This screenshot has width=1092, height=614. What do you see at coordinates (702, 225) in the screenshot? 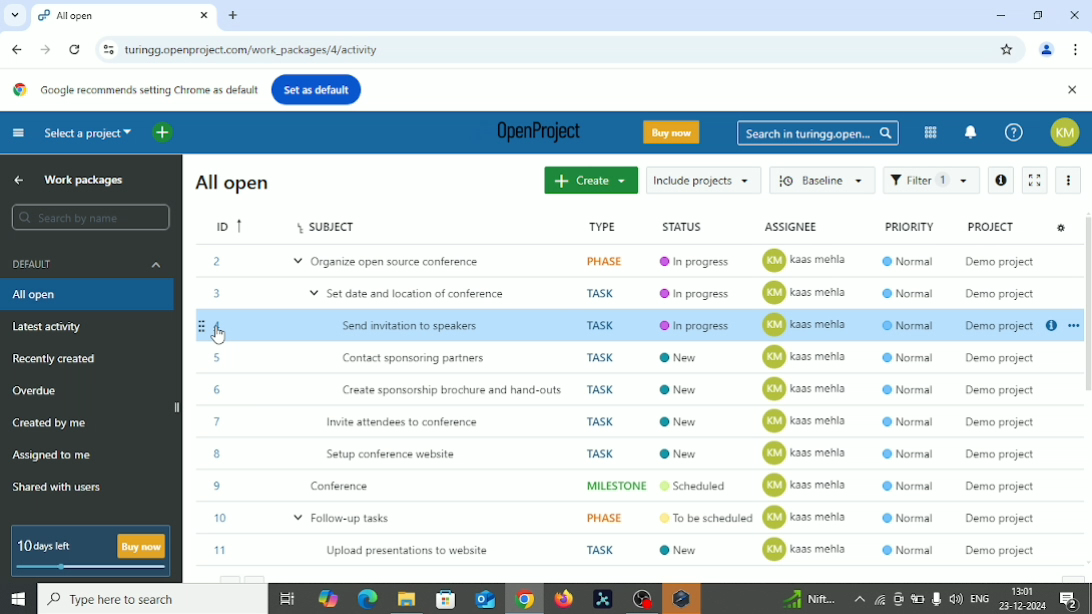
I see `Status` at bounding box center [702, 225].